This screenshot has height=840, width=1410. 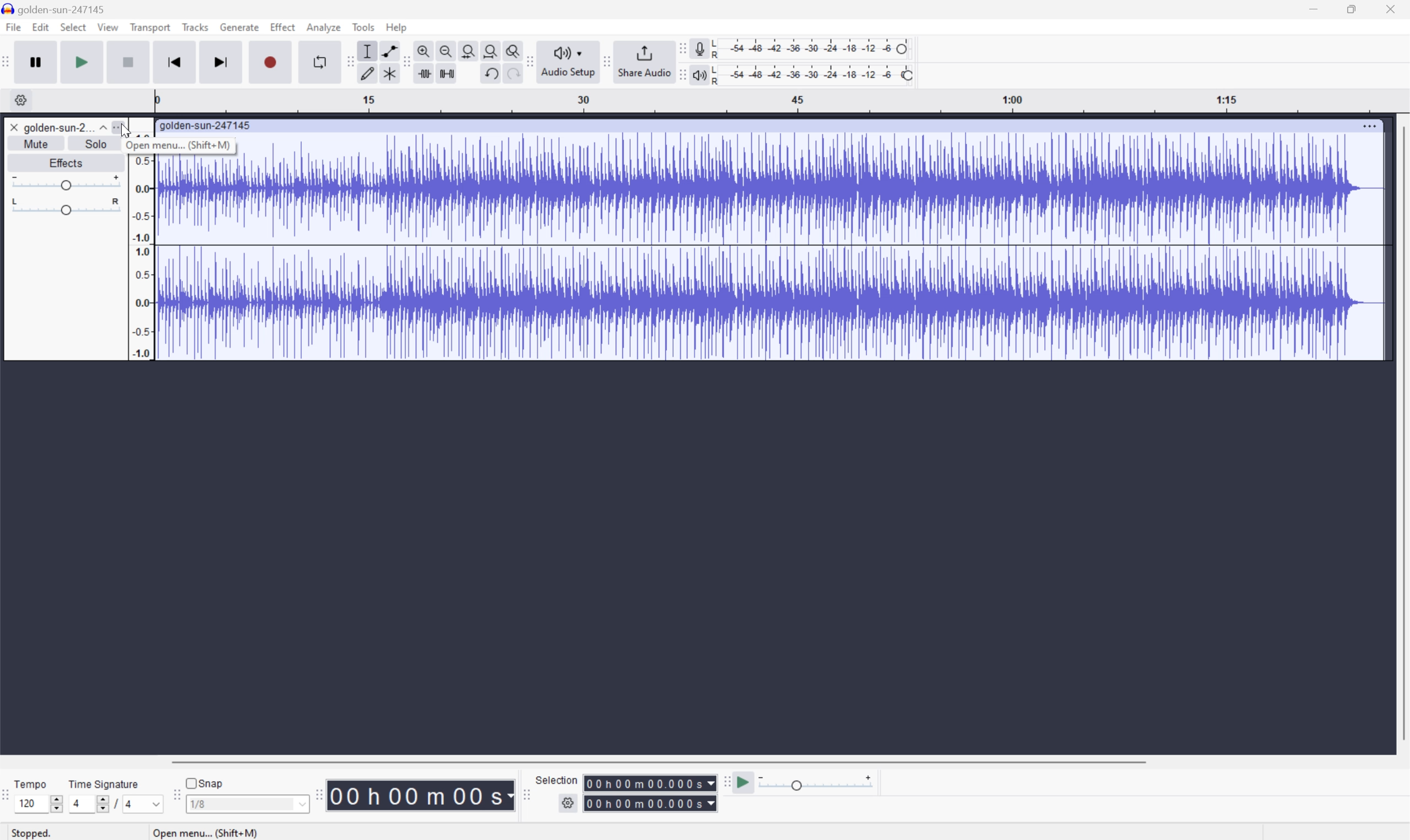 I want to click on more, so click(x=123, y=127).